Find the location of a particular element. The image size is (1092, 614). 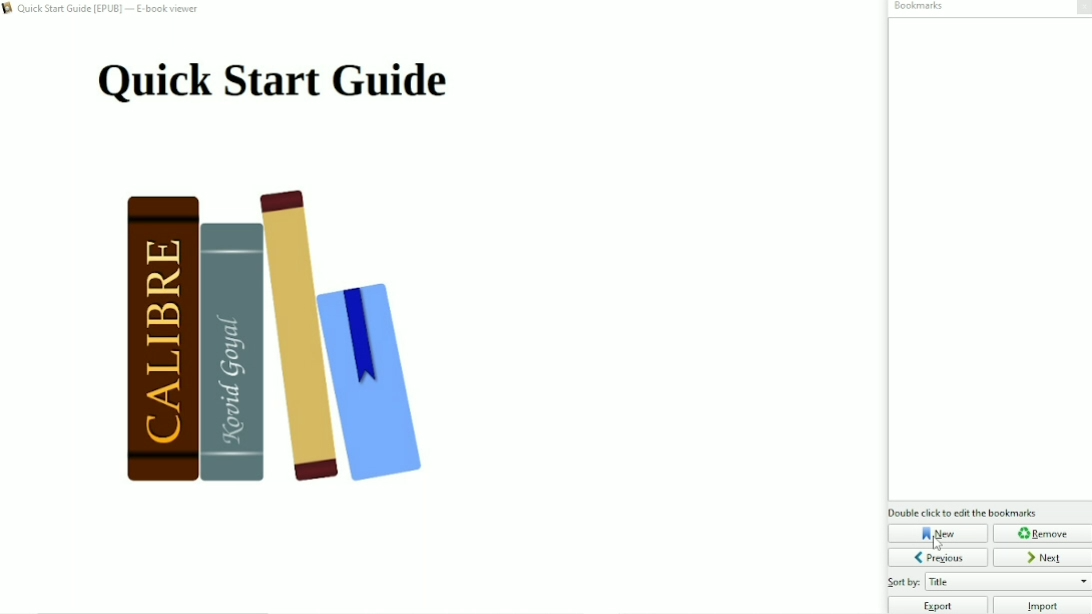

cursor is located at coordinates (939, 544).